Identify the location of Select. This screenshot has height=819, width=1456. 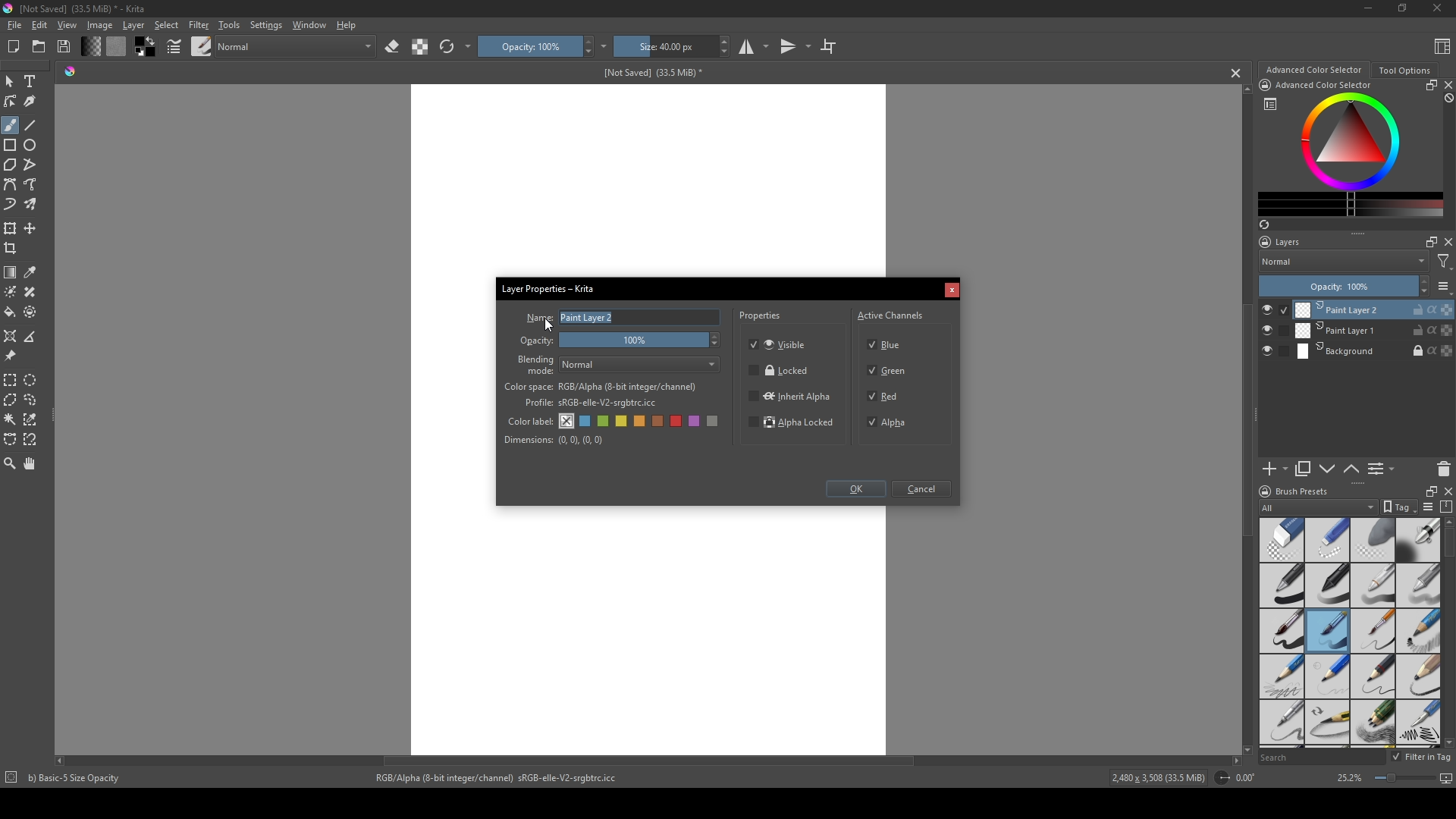
(167, 25).